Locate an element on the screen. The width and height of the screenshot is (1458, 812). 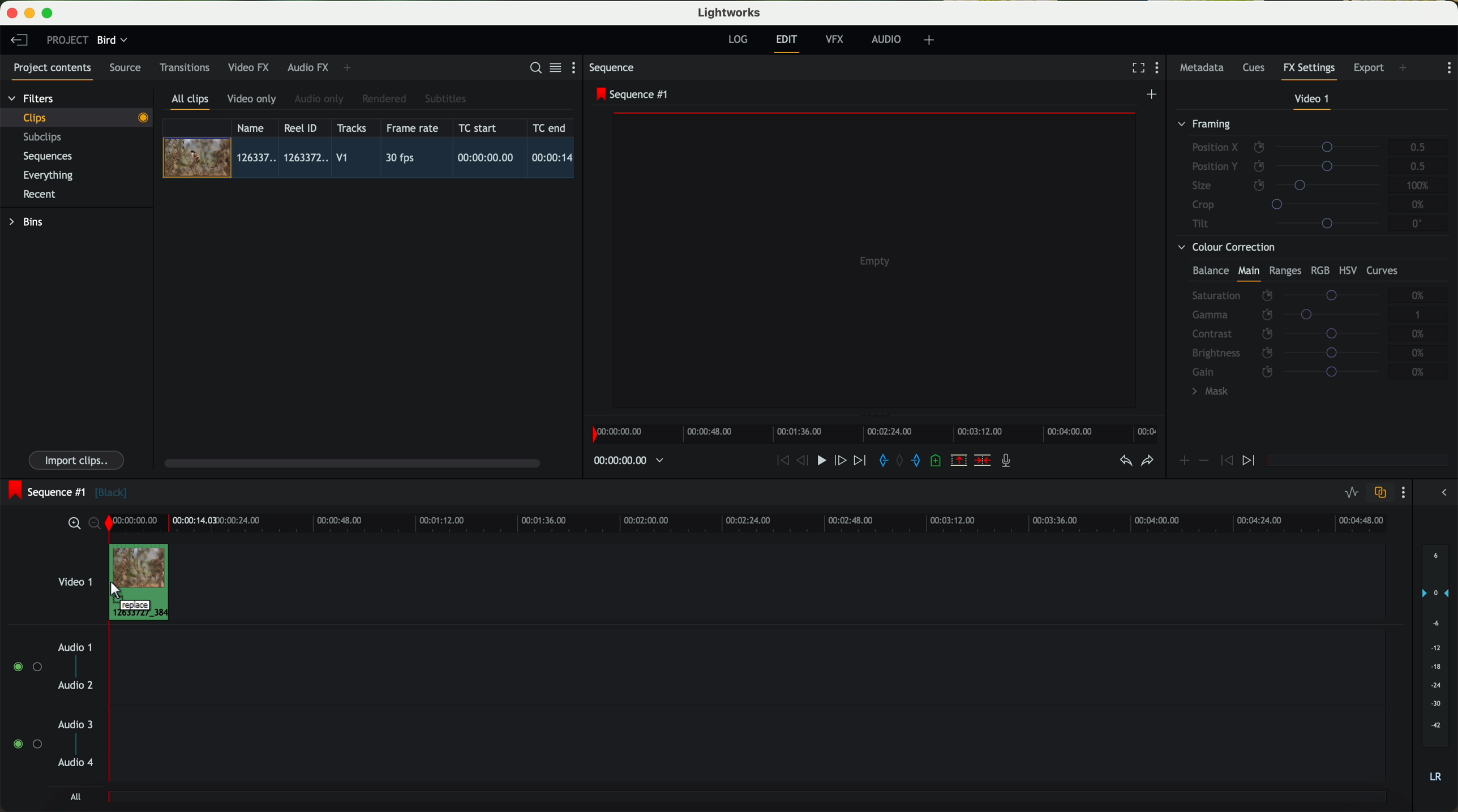
brightness is located at coordinates (1293, 353).